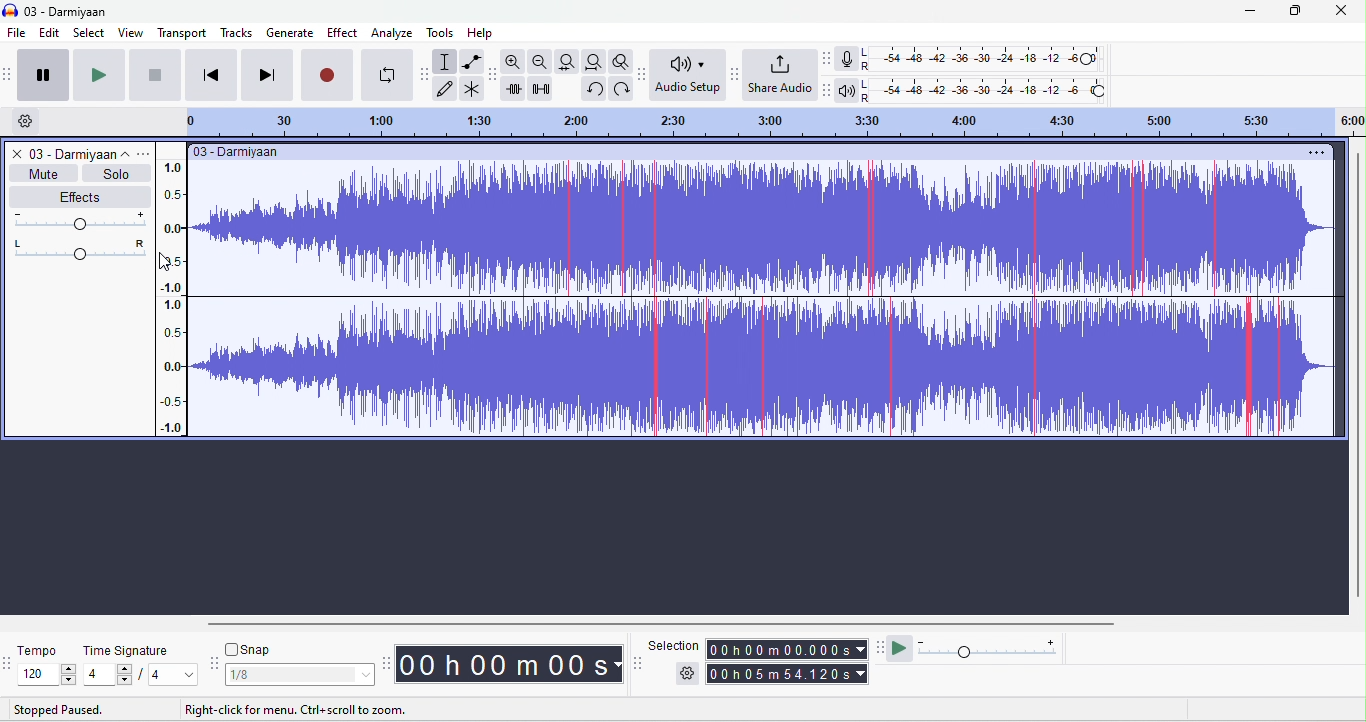 The width and height of the screenshot is (1366, 722). I want to click on file, so click(15, 35).